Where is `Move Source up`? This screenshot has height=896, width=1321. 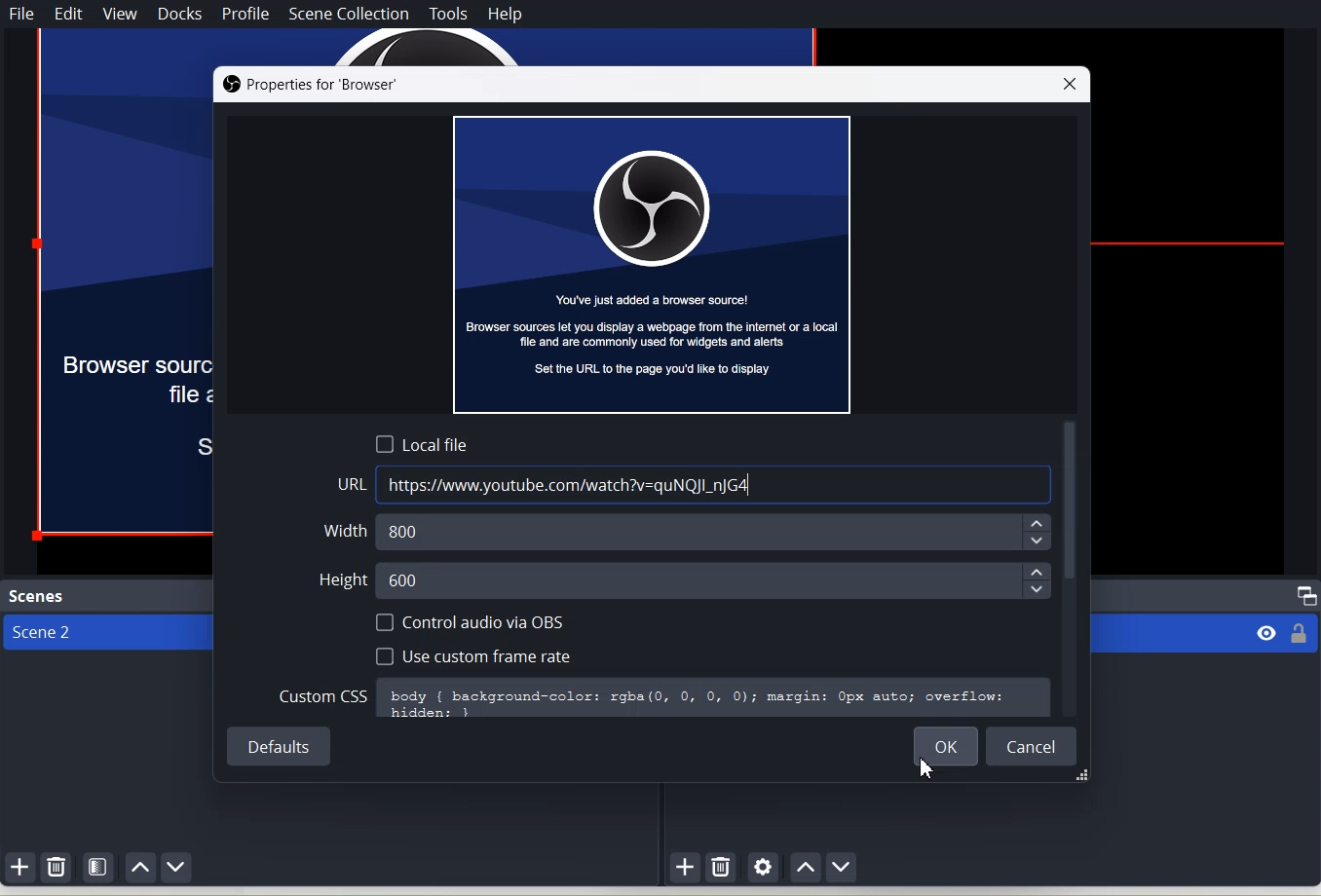
Move Source up is located at coordinates (804, 867).